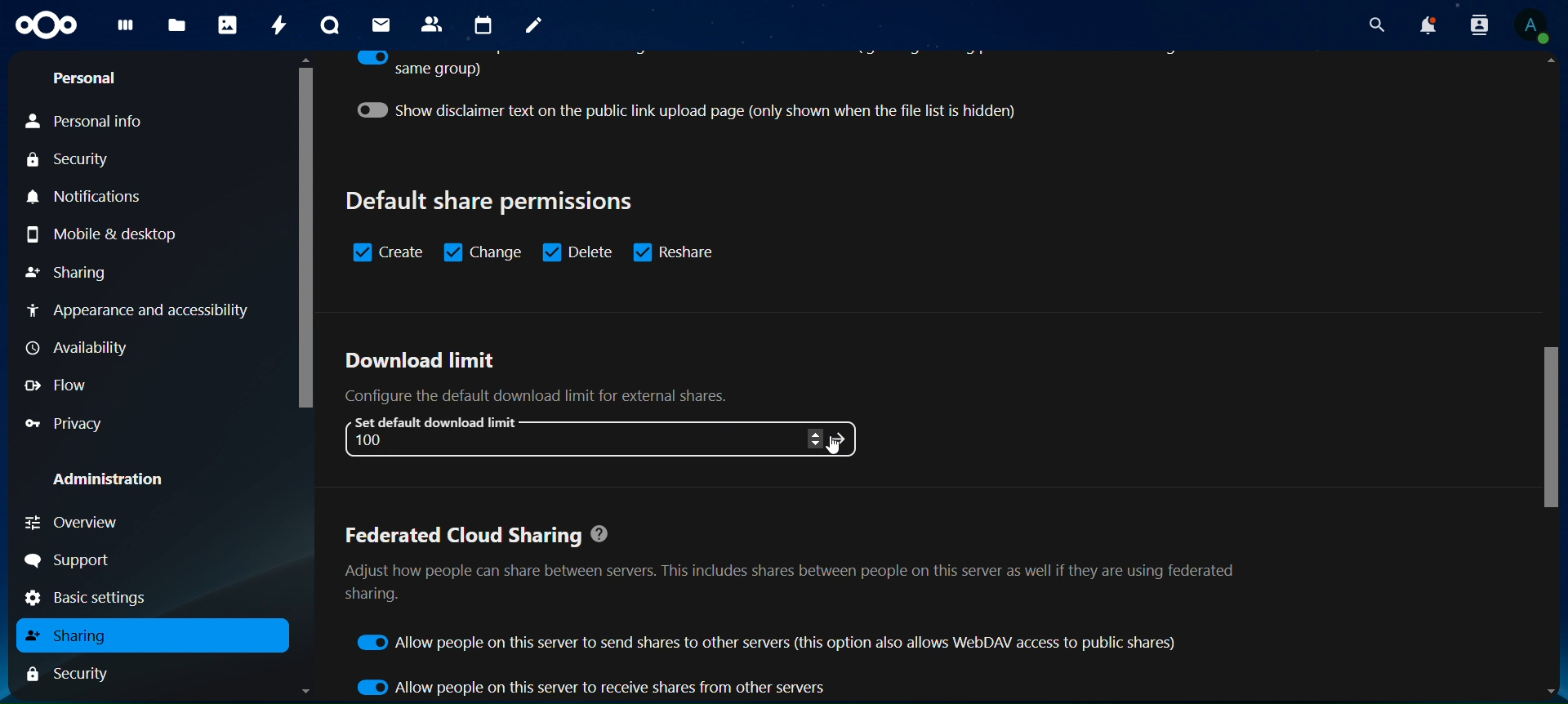 The image size is (1568, 704). Describe the element at coordinates (1374, 22) in the screenshot. I see `search` at that location.